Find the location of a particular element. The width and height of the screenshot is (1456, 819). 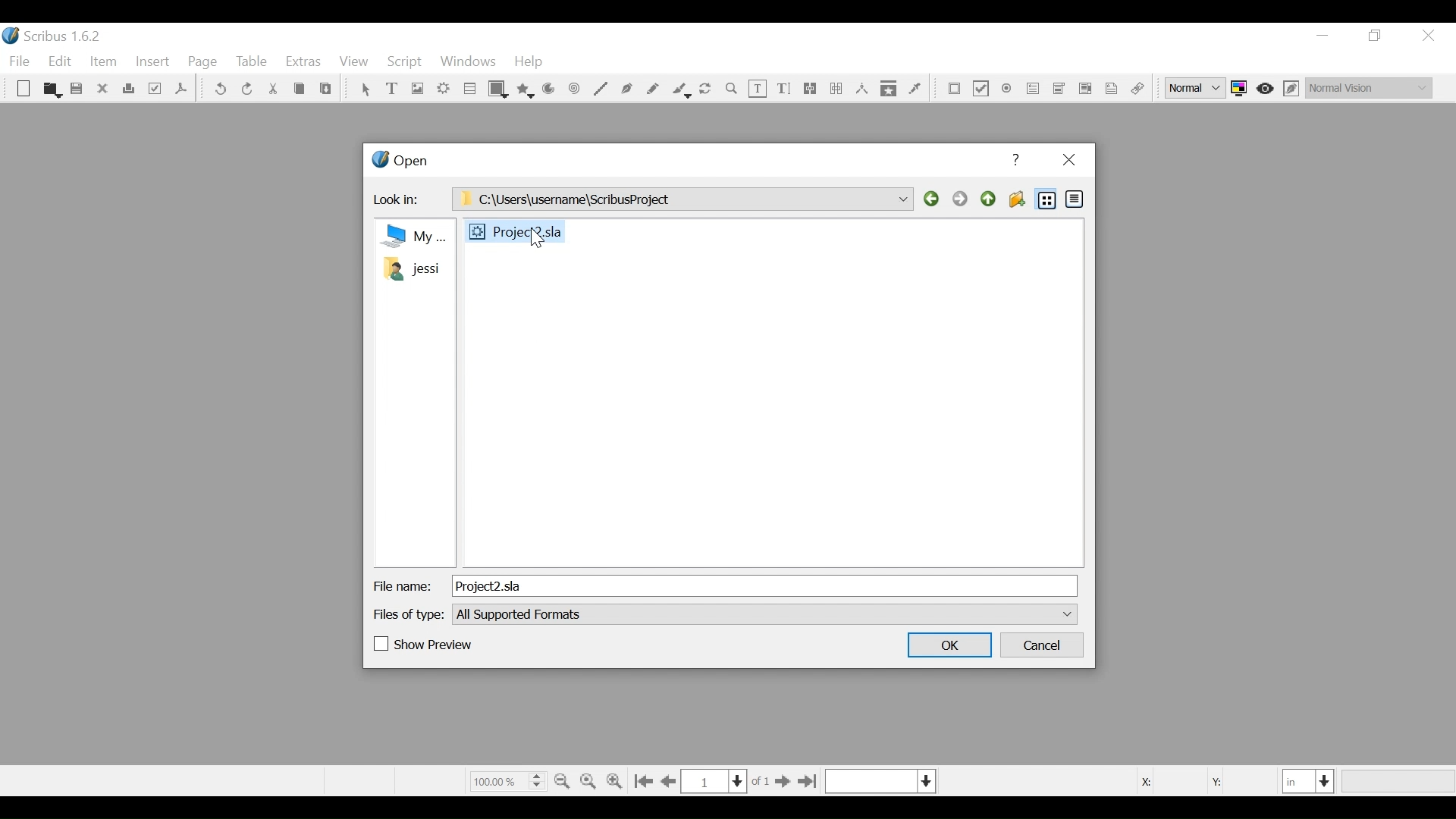

File is located at coordinates (513, 229).